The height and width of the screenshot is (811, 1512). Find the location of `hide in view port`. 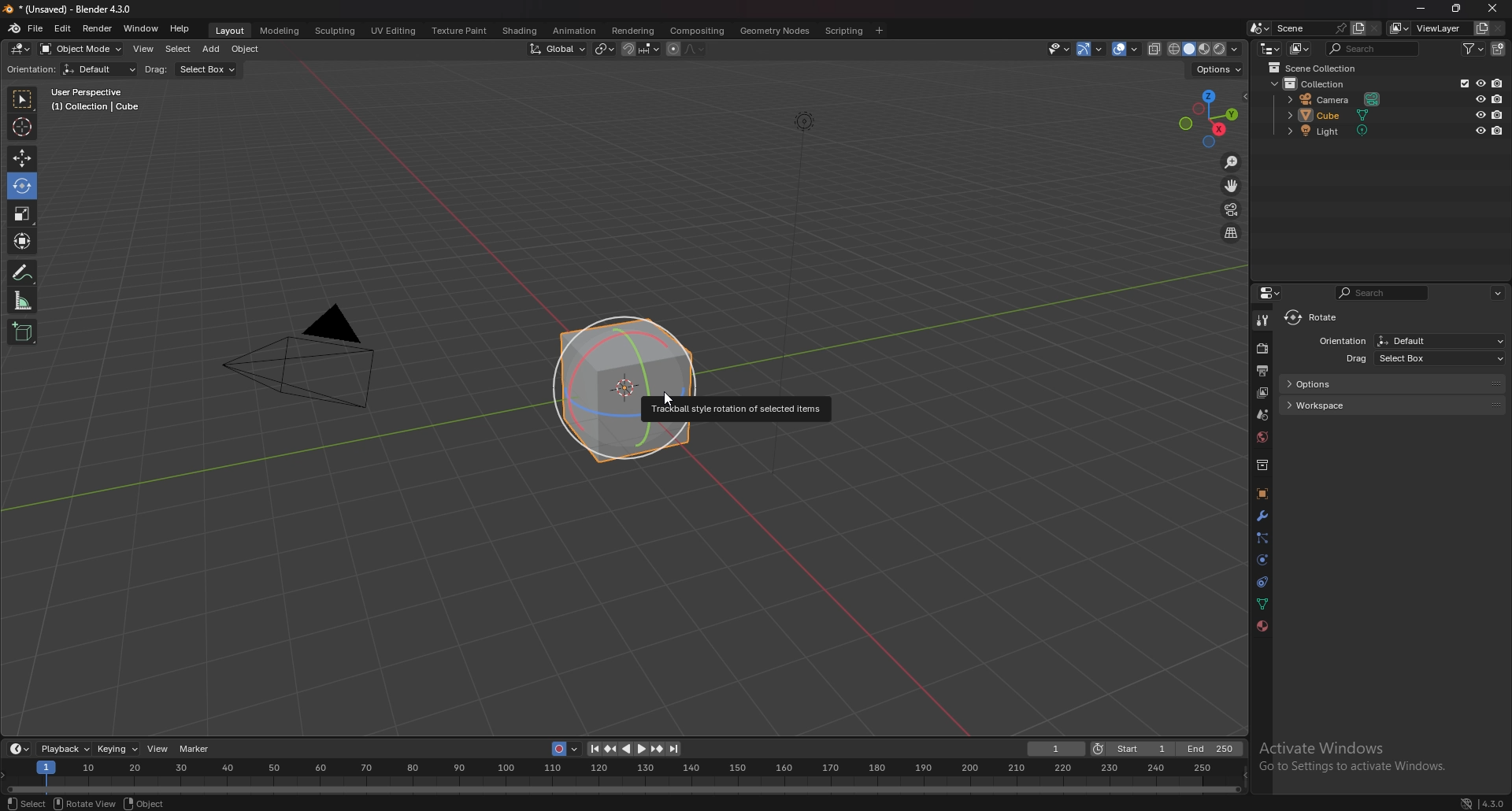

hide in view port is located at coordinates (1480, 130).